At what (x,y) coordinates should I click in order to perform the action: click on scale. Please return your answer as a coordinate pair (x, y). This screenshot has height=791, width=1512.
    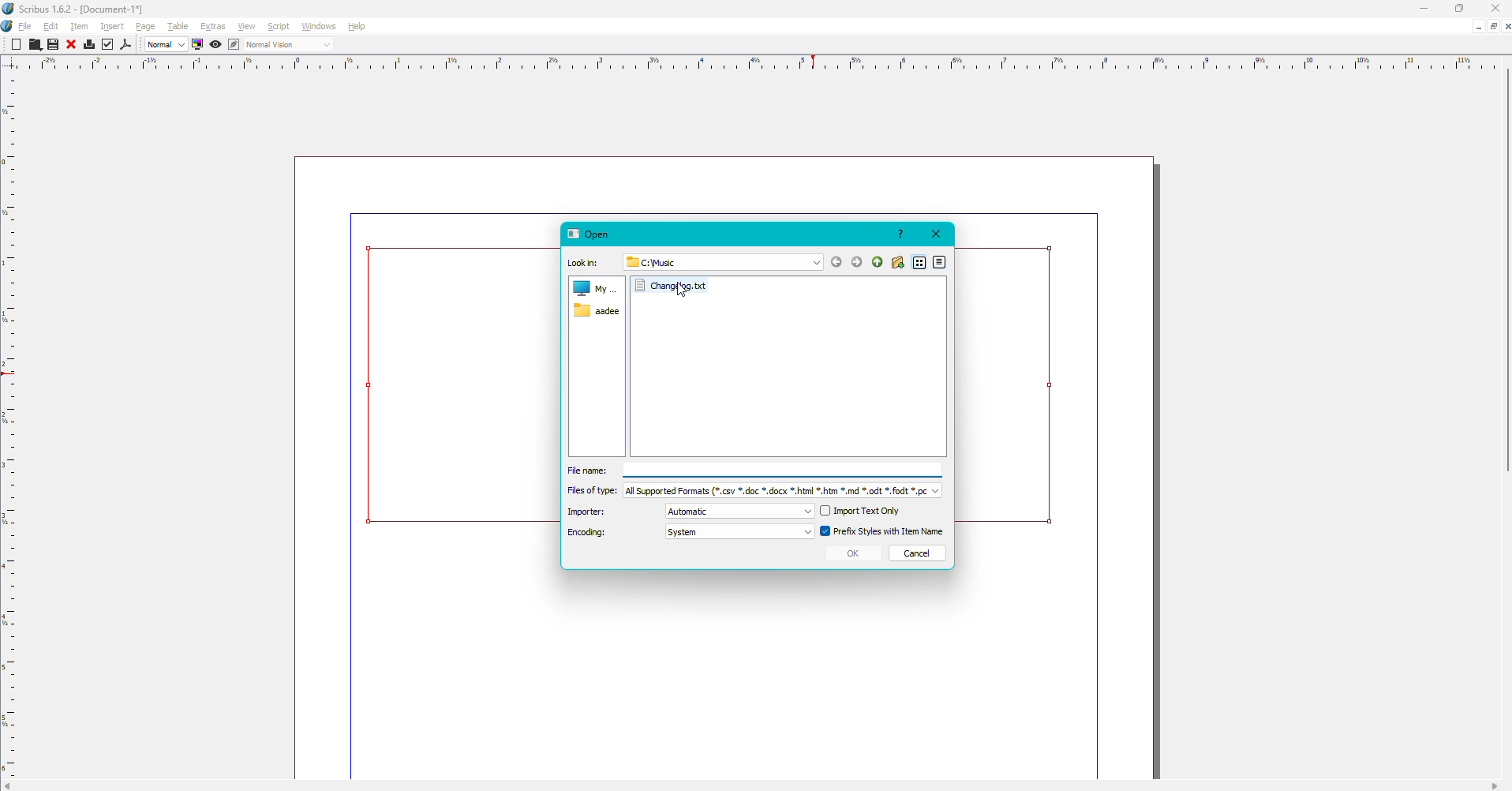
    Looking at the image, I should click on (762, 62).